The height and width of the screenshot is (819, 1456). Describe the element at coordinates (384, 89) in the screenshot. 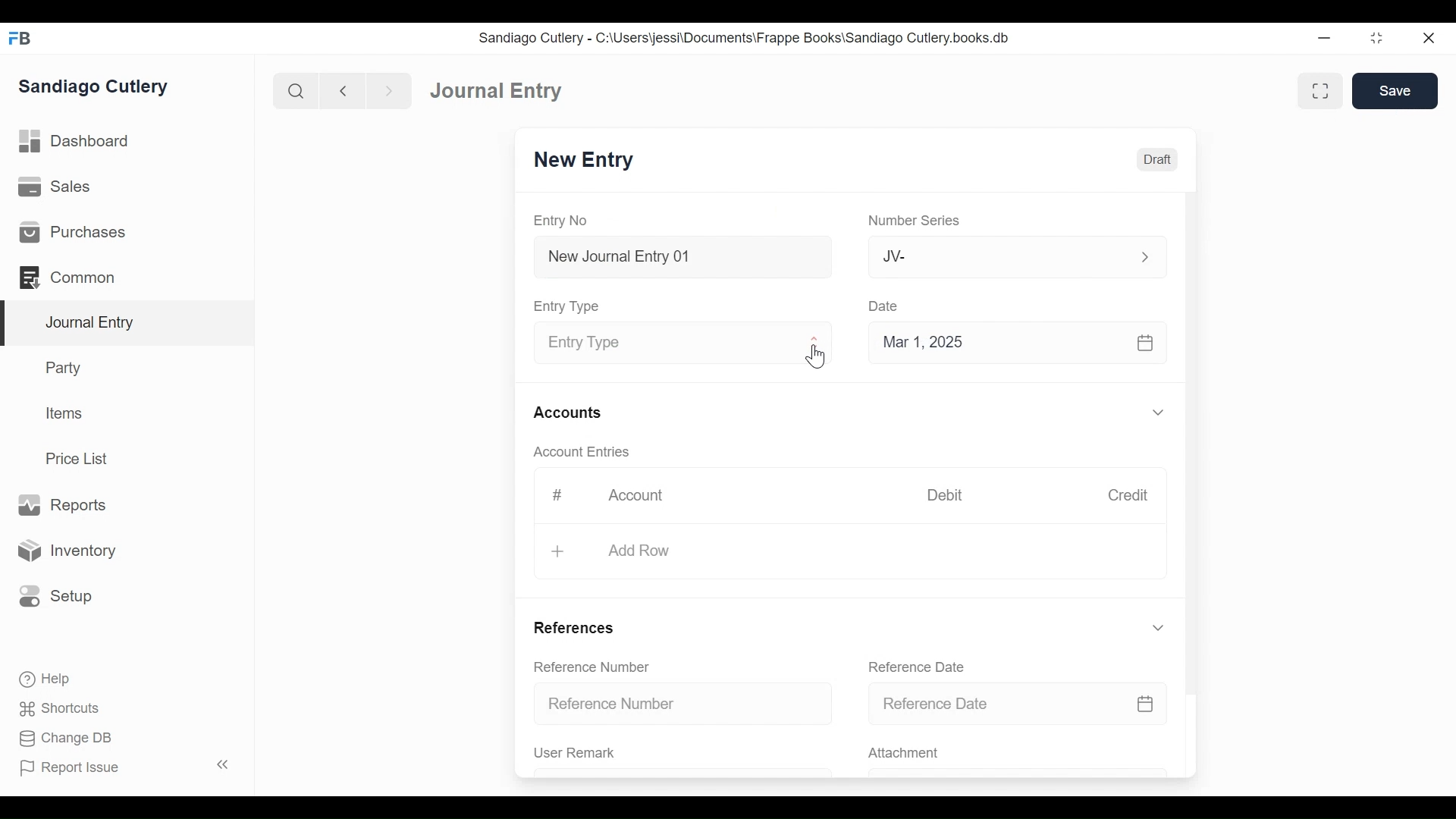

I see `next` at that location.